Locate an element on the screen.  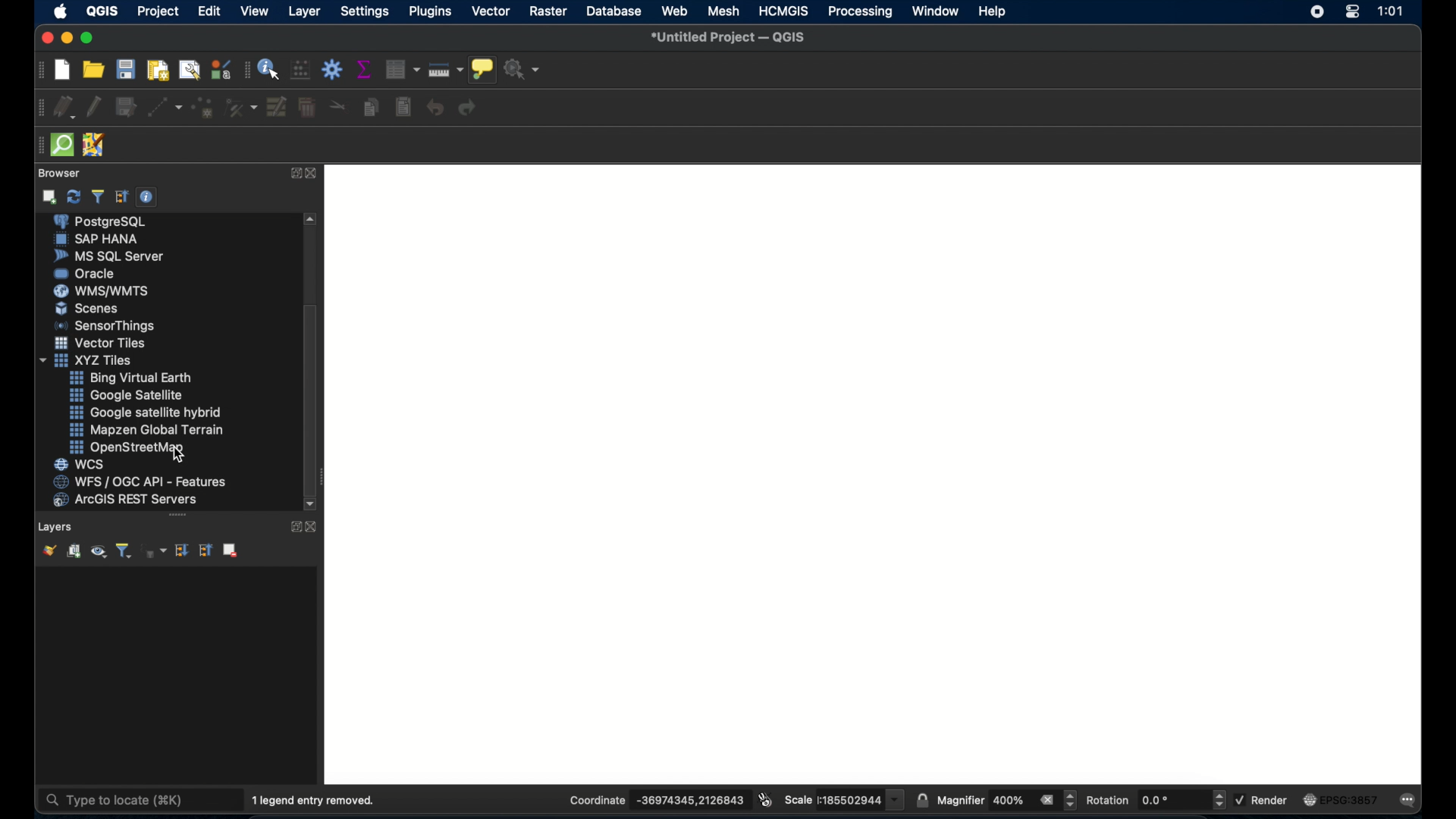
close is located at coordinates (313, 174).